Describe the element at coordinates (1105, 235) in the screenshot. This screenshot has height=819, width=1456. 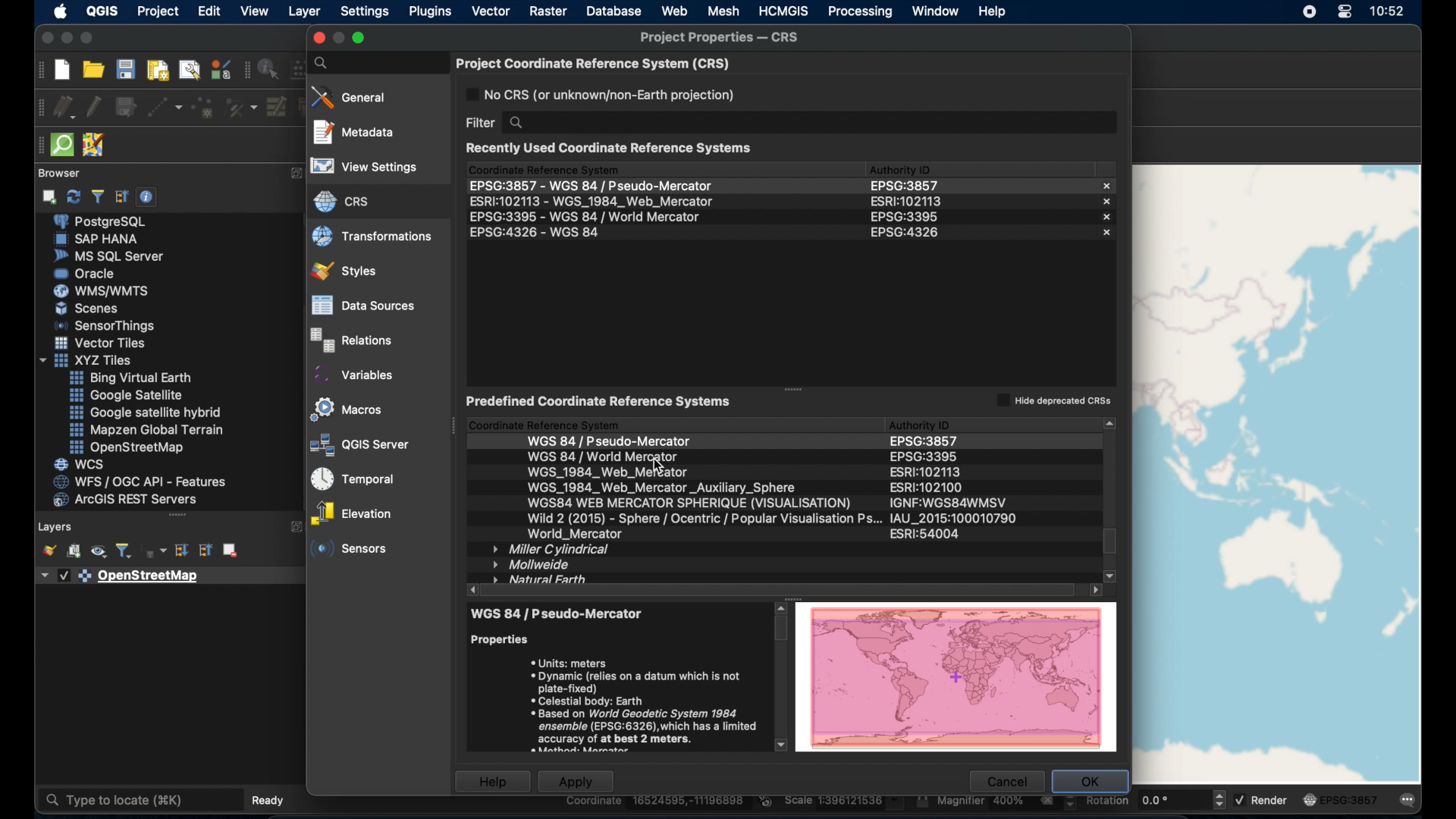
I see `close` at that location.